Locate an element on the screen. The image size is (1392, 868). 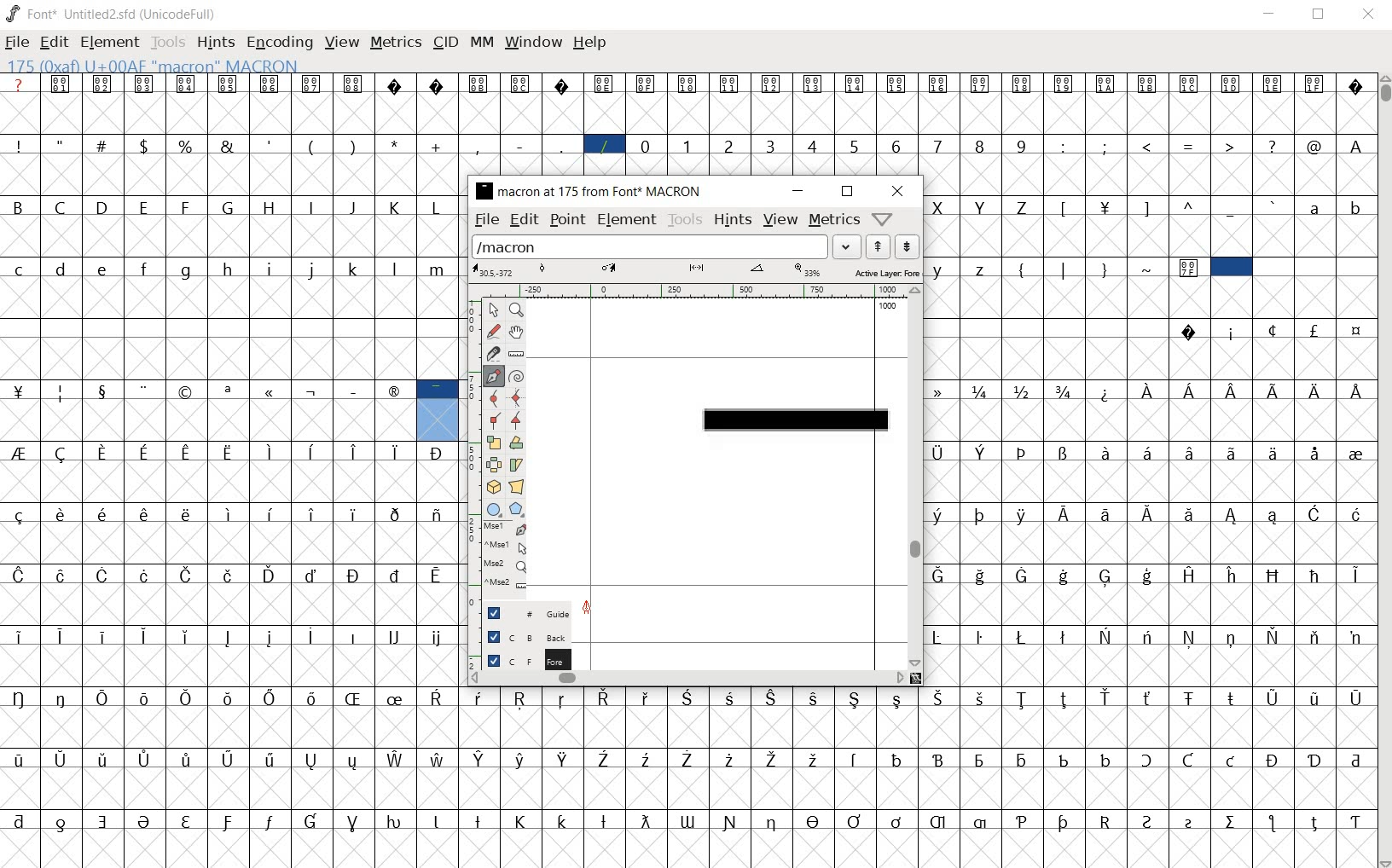
Symbol is located at coordinates (856, 757).